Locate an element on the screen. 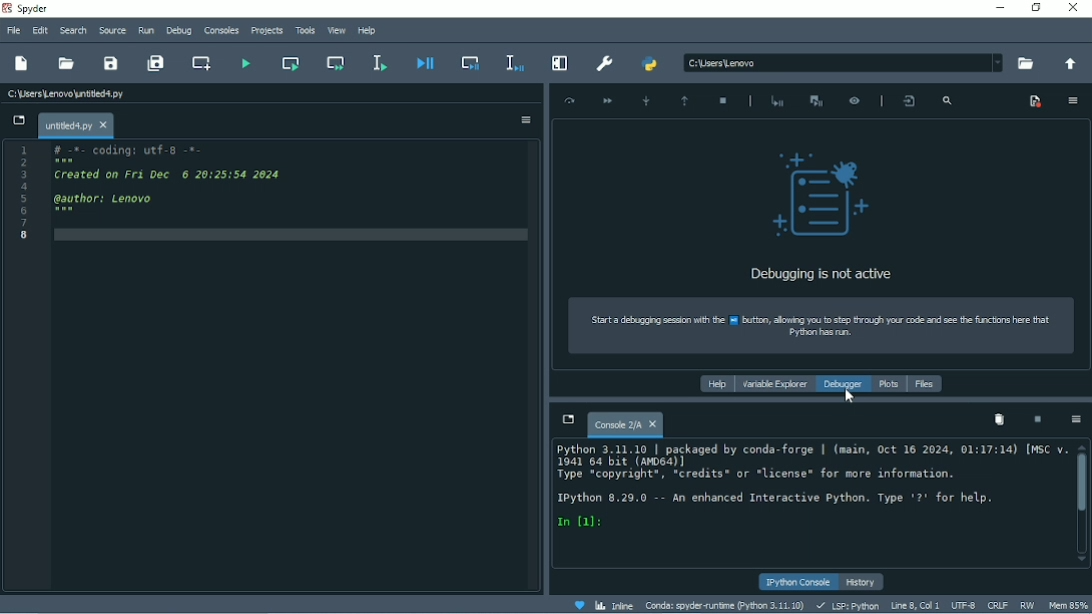 The height and width of the screenshot is (614, 1092). Options is located at coordinates (1077, 420).